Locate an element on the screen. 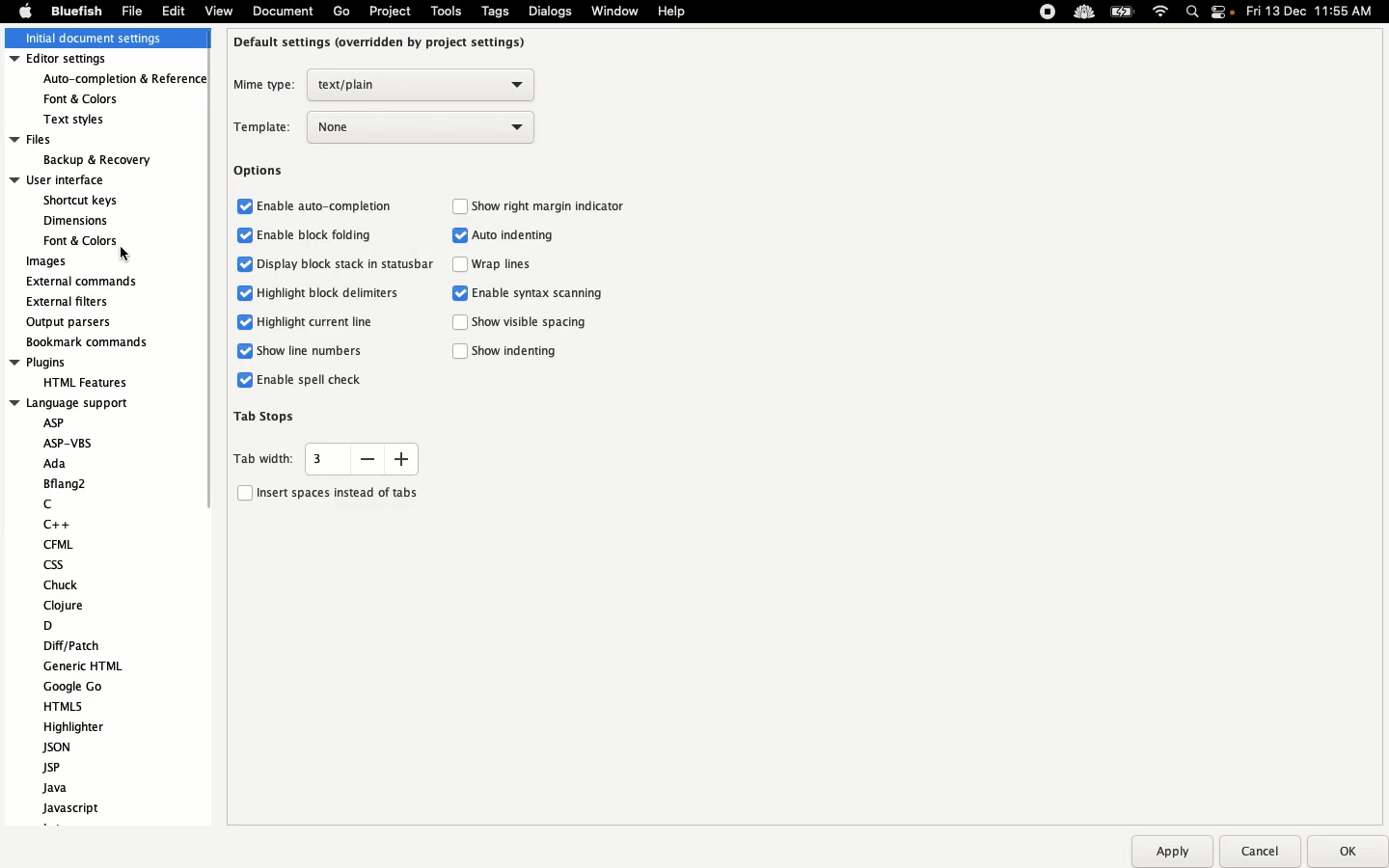 This screenshot has height=868, width=1389. Help is located at coordinates (672, 11).